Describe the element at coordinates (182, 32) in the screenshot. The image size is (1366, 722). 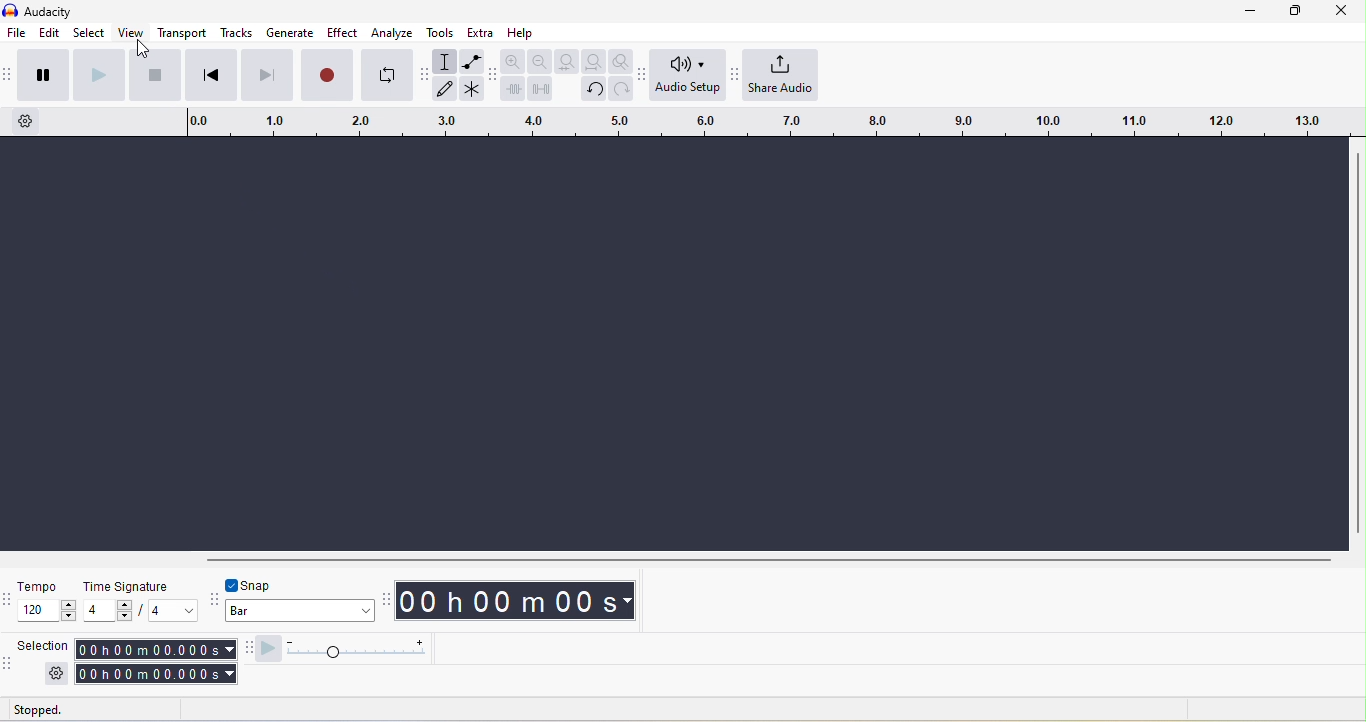
I see `transport` at that location.